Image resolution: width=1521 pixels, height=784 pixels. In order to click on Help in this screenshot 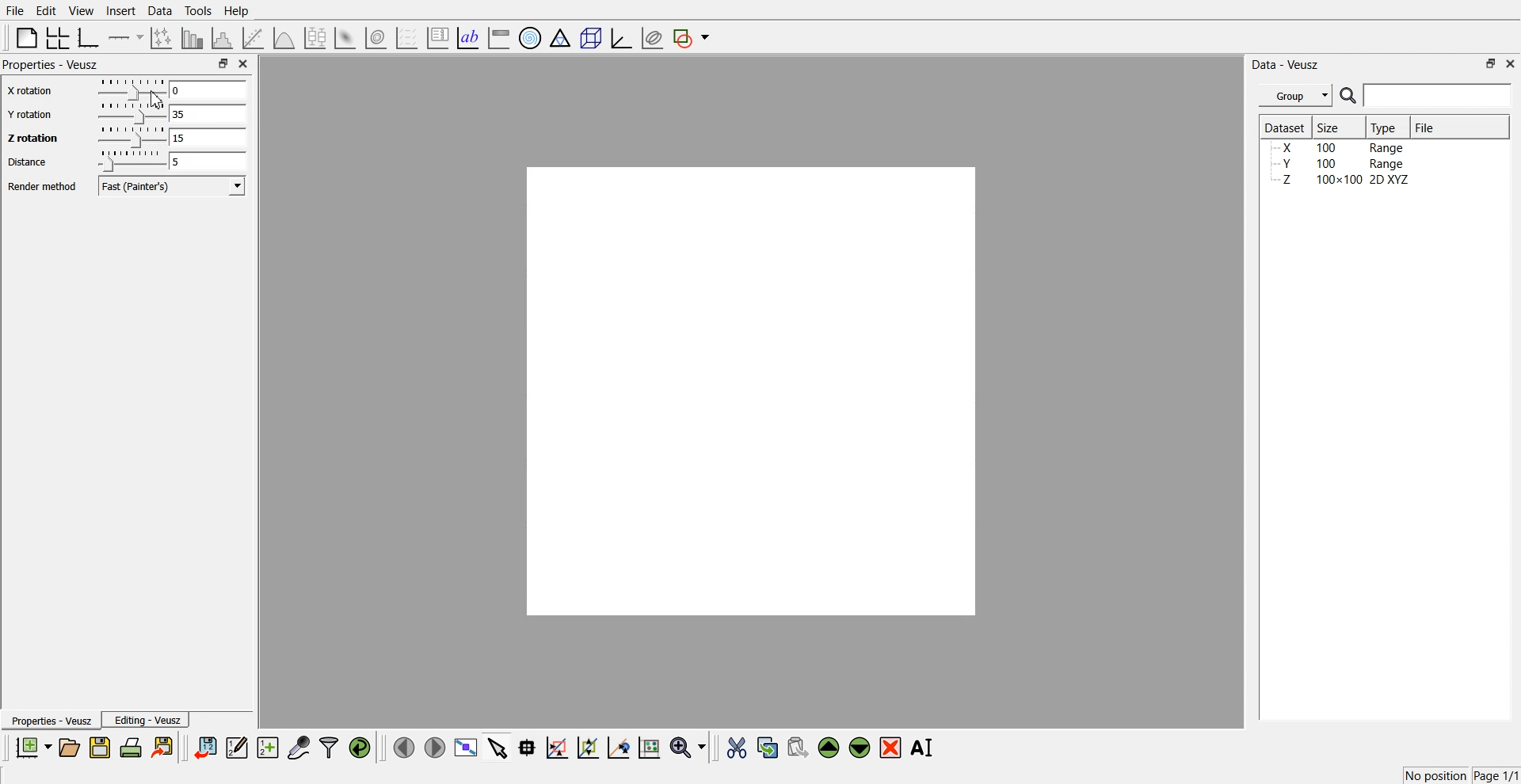, I will do `click(237, 11)`.